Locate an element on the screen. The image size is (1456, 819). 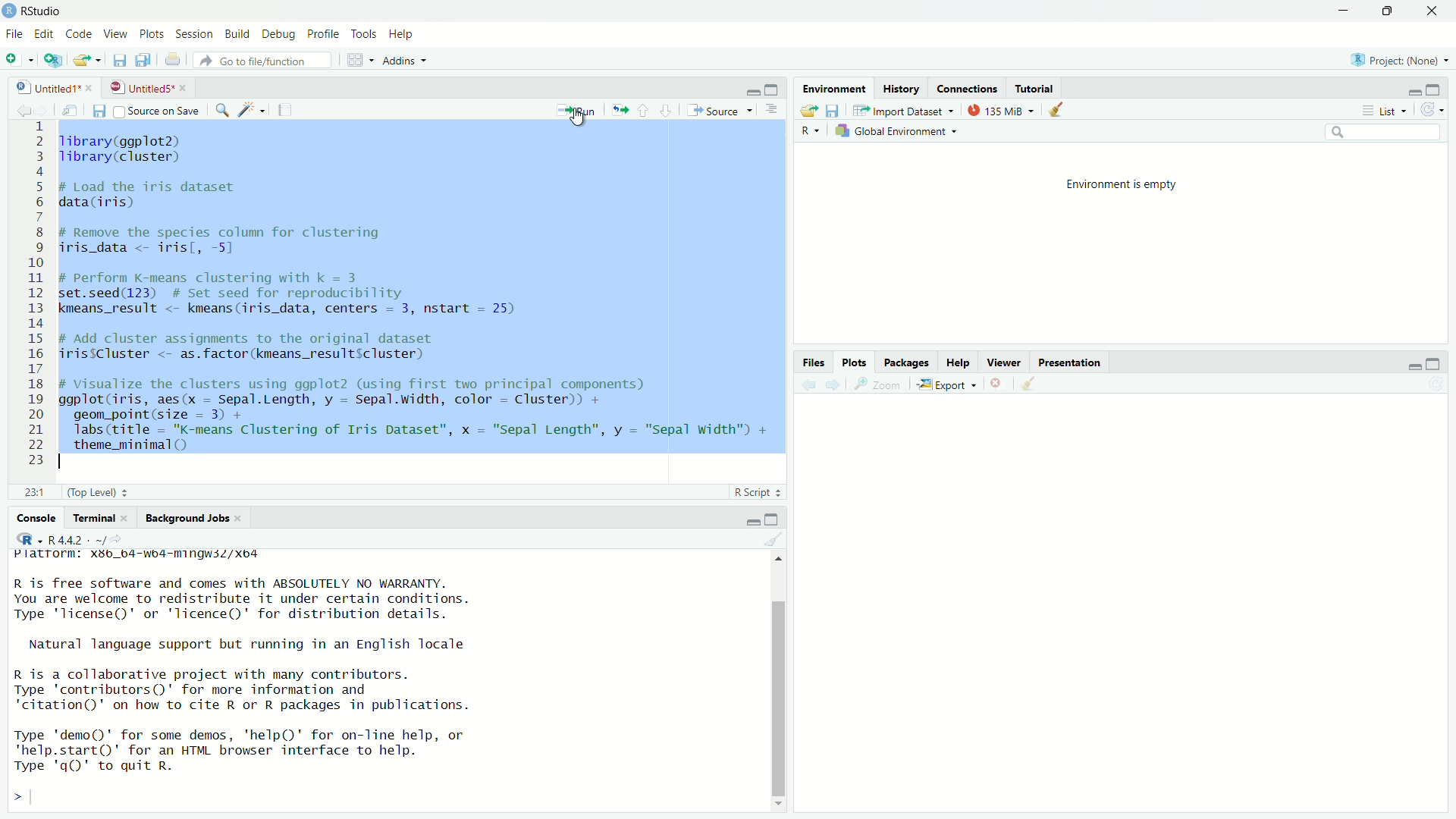
select language is located at coordinates (812, 131).